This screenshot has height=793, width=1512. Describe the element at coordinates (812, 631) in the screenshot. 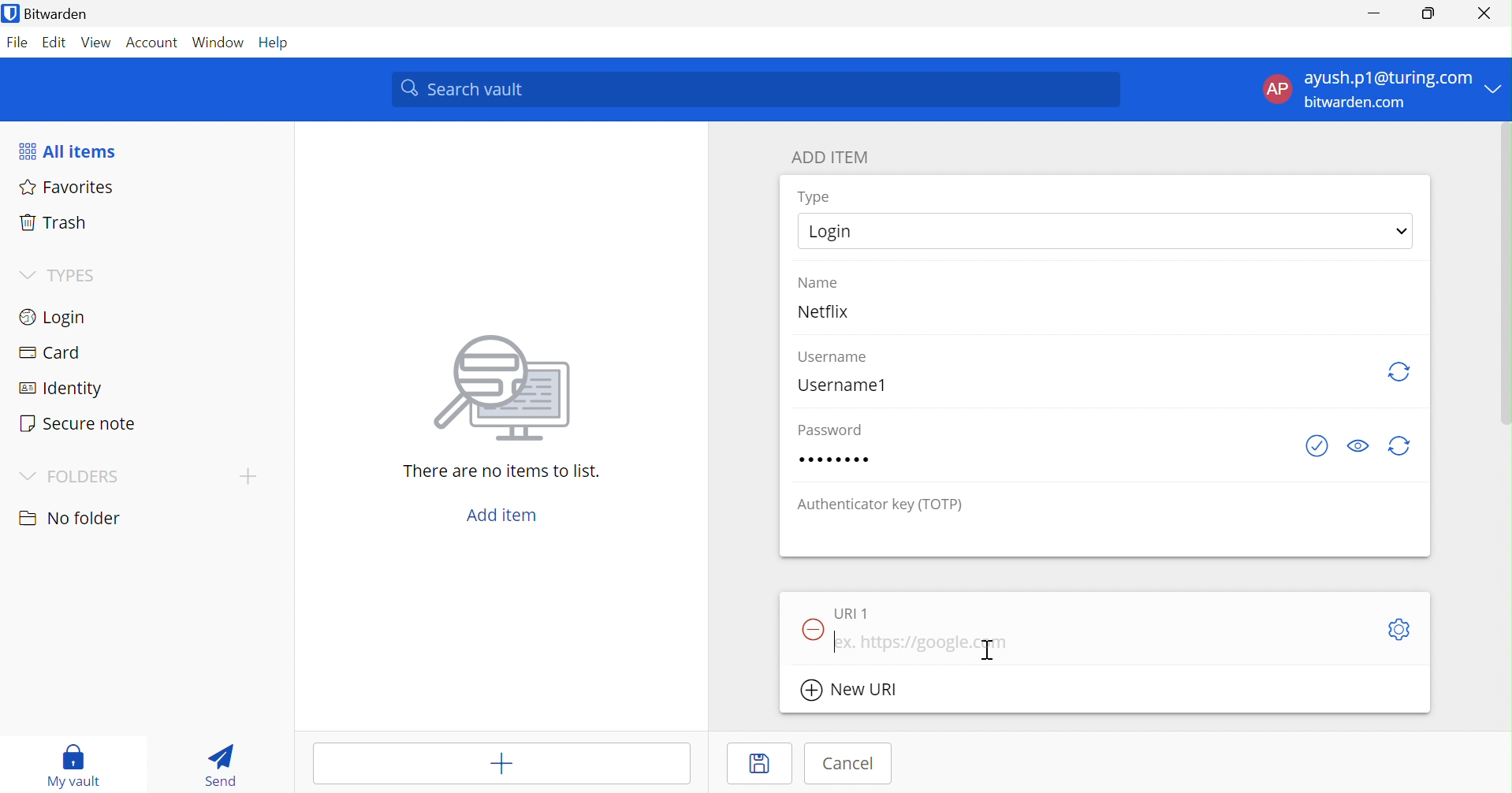

I see `Remove` at that location.